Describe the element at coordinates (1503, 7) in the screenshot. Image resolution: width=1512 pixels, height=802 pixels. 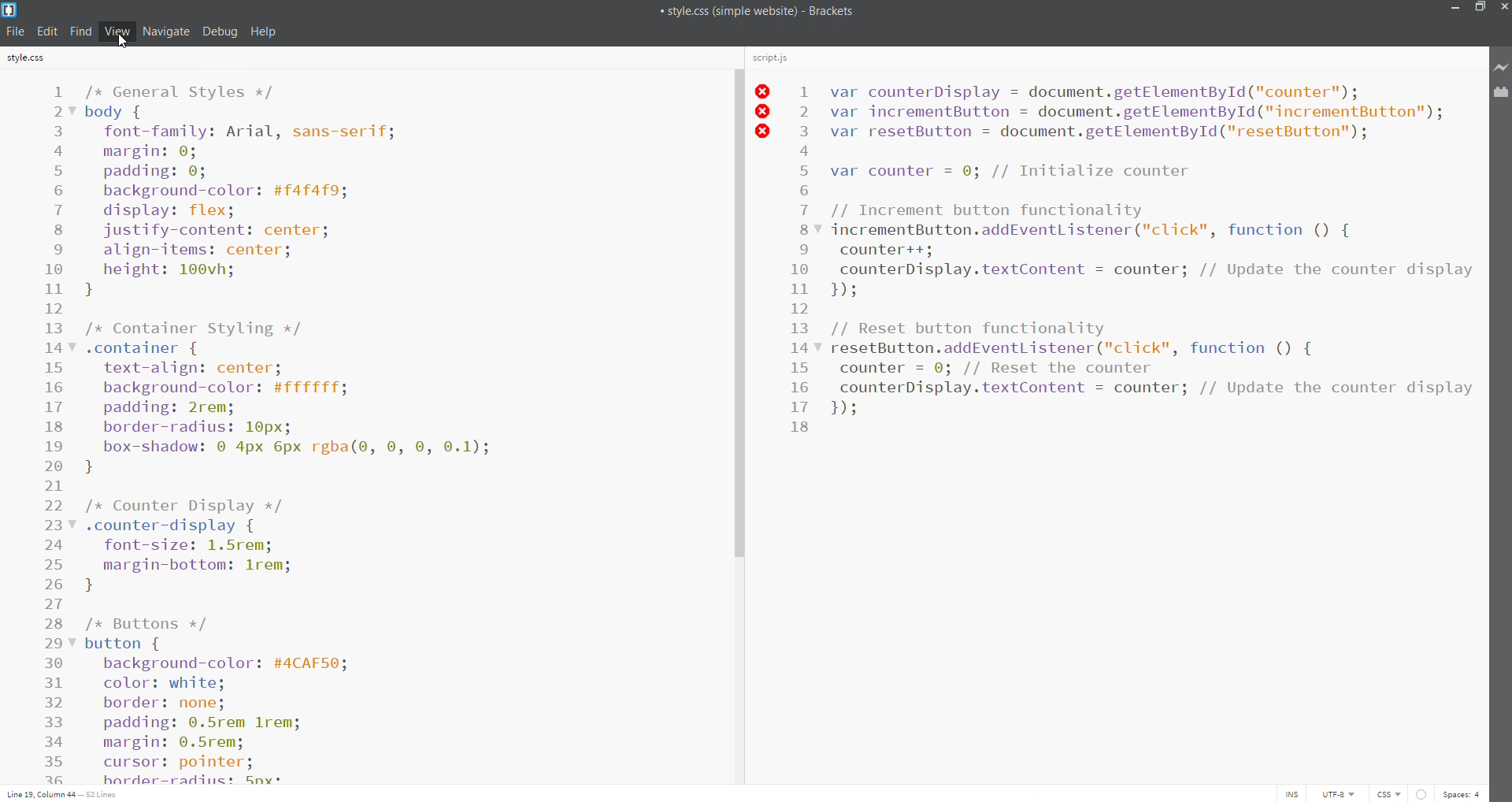
I see `close` at that location.